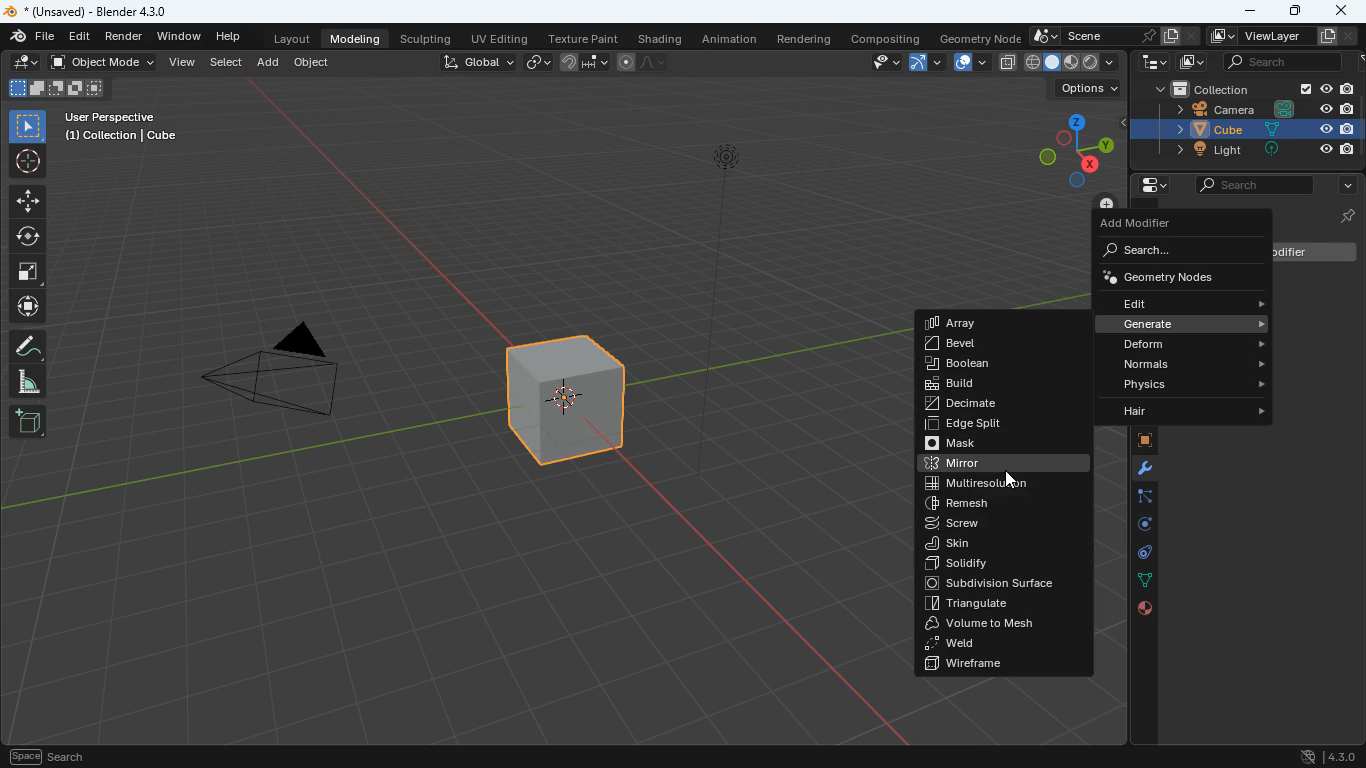 The width and height of the screenshot is (1366, 768). I want to click on subdivision surface, so click(1002, 584).